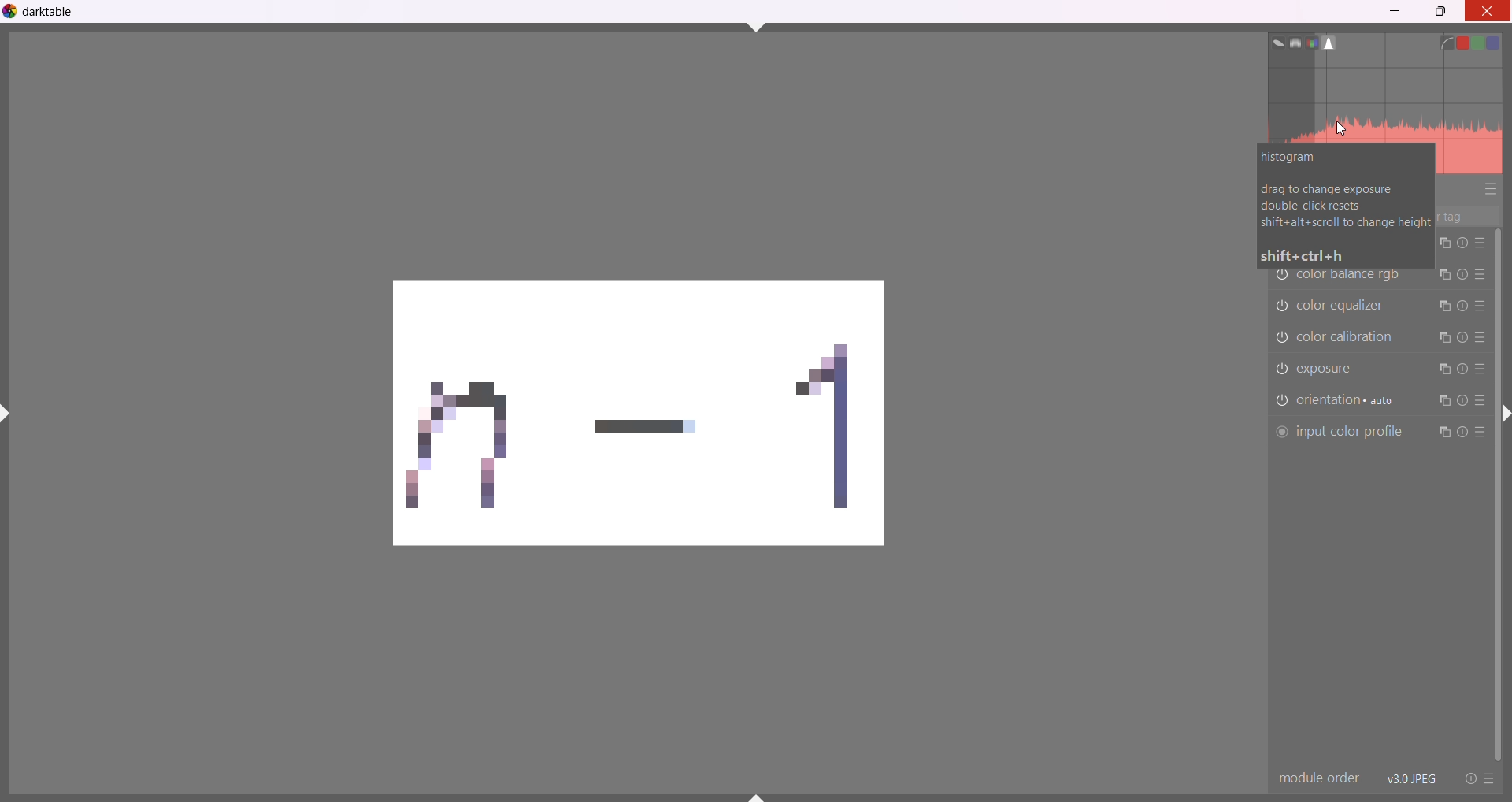  I want to click on preset, so click(1489, 779).